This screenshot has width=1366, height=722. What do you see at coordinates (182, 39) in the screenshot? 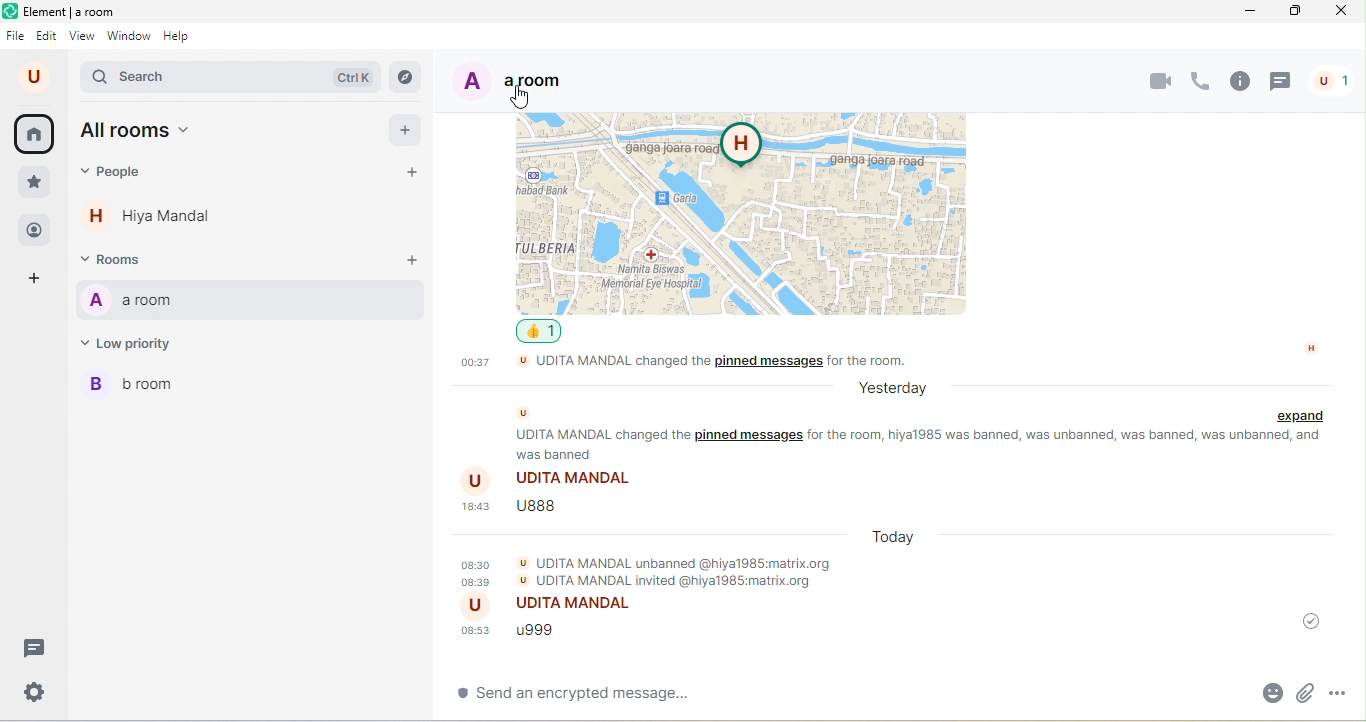
I see `help` at bounding box center [182, 39].